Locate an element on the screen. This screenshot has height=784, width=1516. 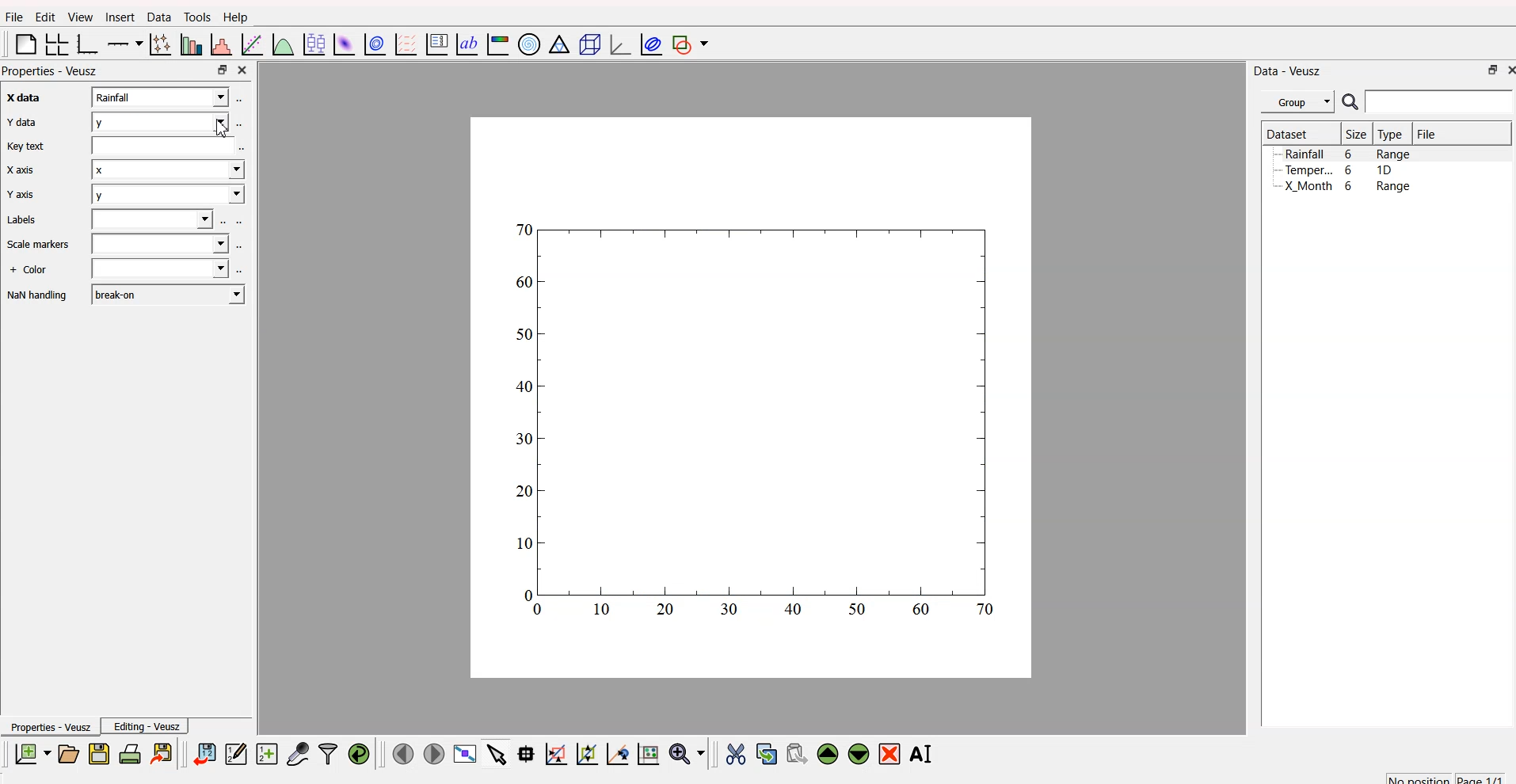
Rainfall 6 Range is located at coordinates (1350, 154).